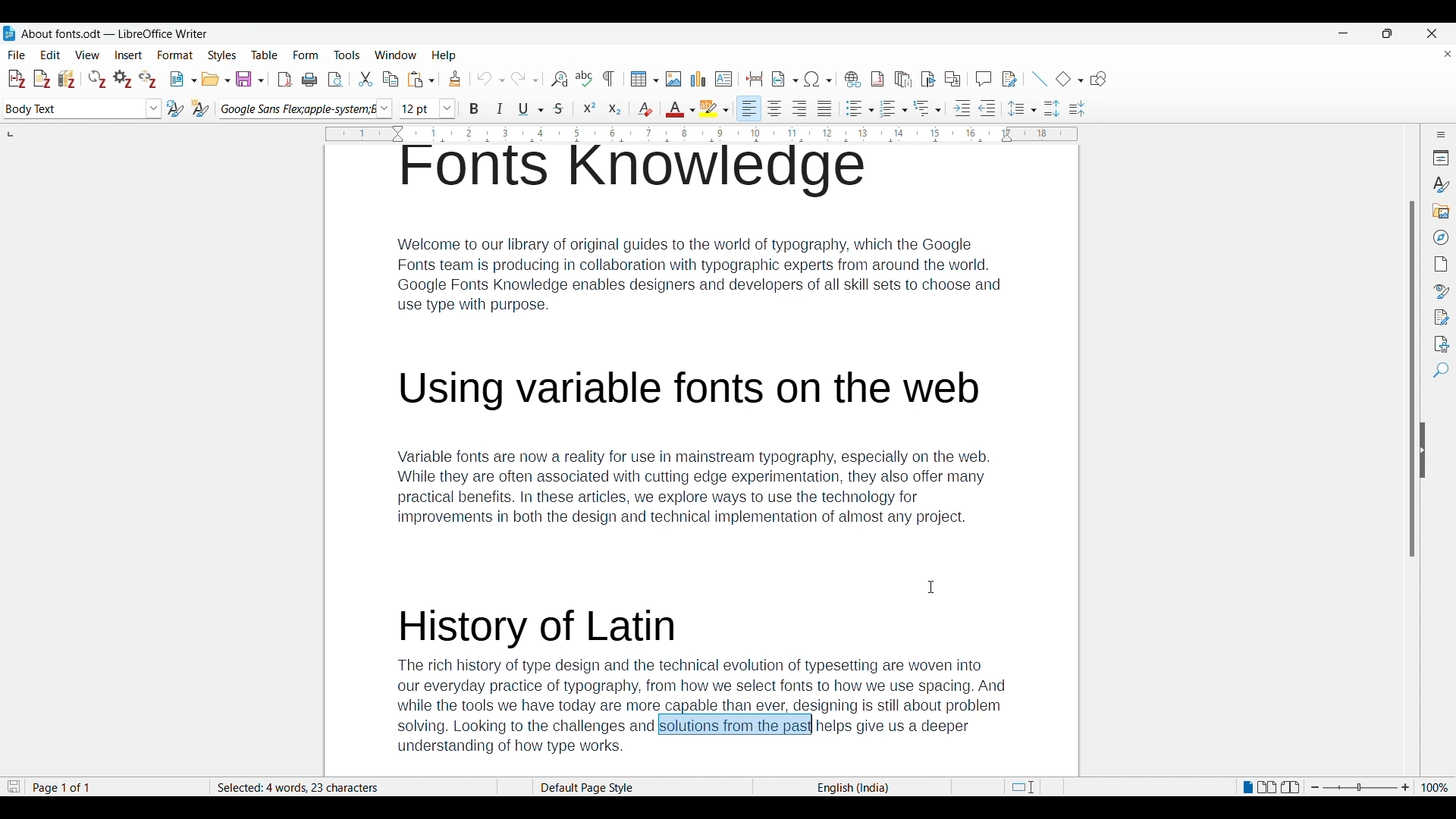  Describe the element at coordinates (444, 55) in the screenshot. I see `Help menu` at that location.